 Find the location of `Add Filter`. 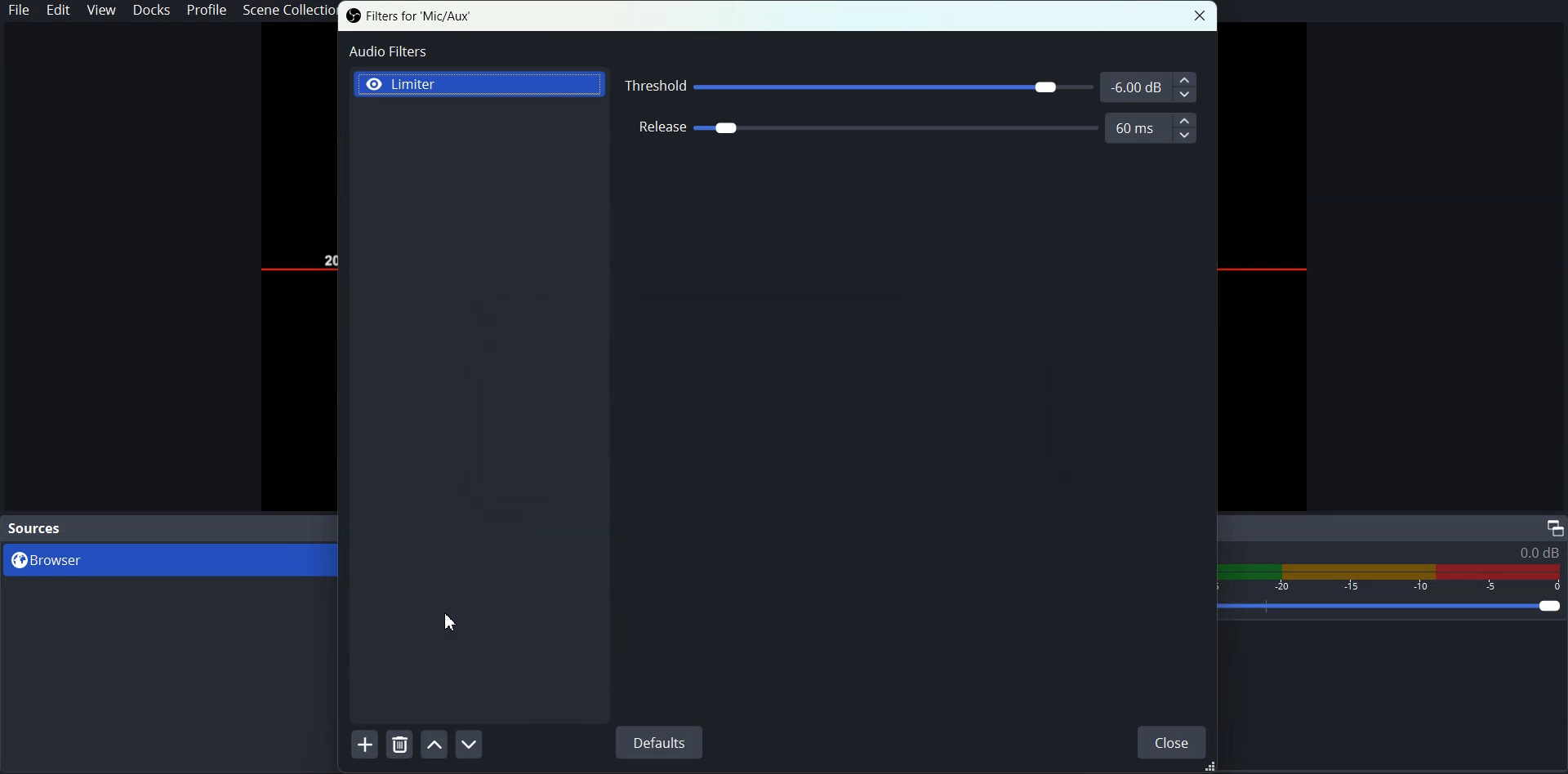

Add Filter is located at coordinates (364, 743).